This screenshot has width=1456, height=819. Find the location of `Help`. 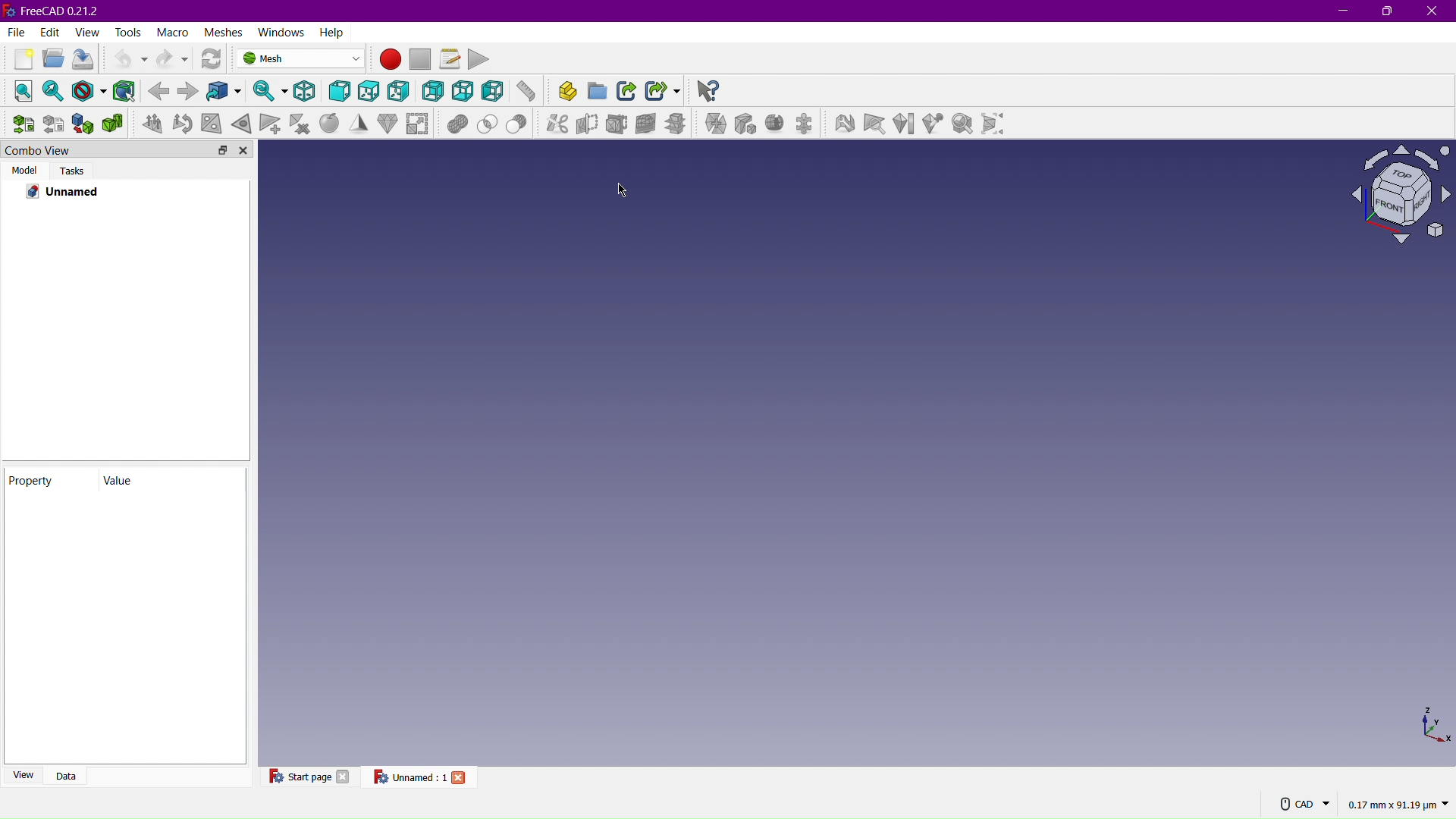

Help is located at coordinates (331, 32).